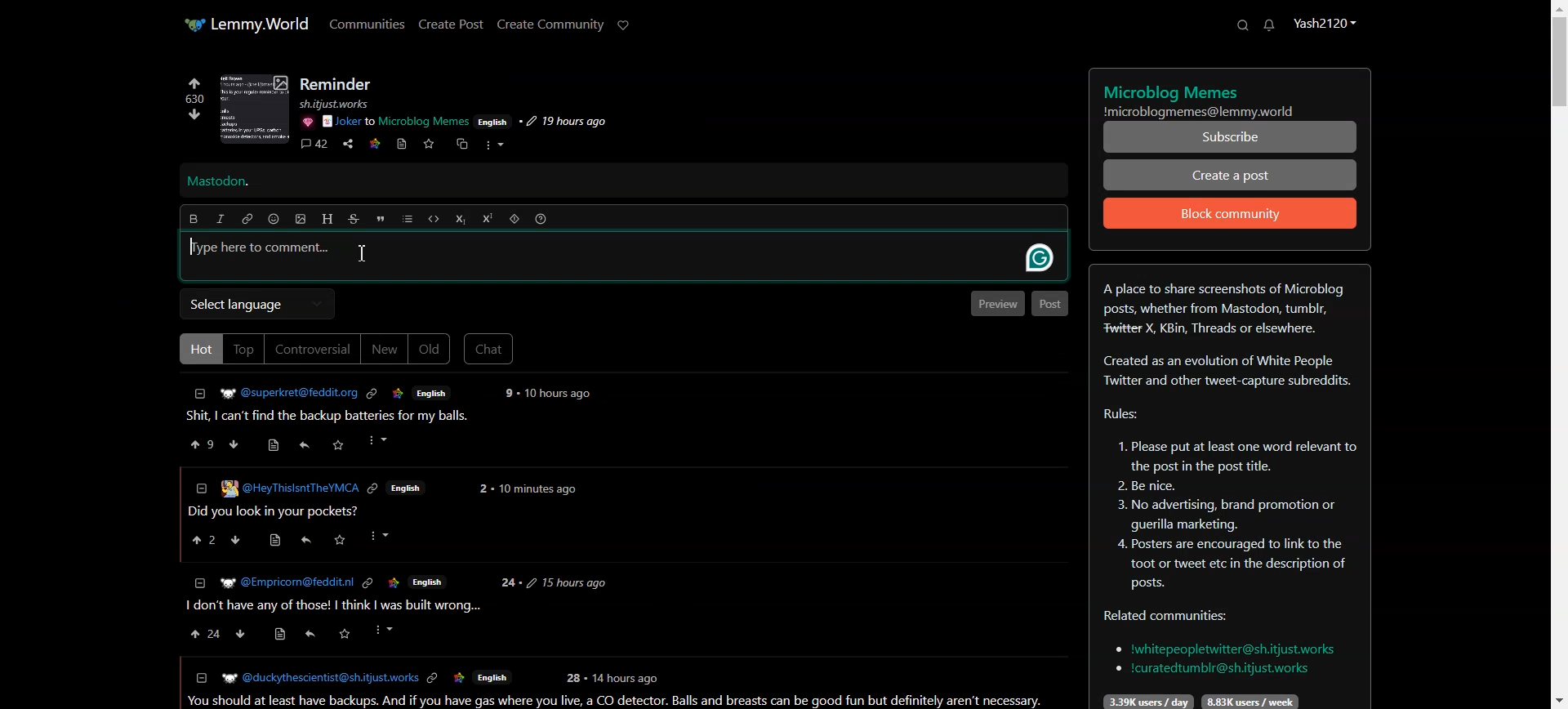 This screenshot has height=709, width=1568. What do you see at coordinates (482, 488) in the screenshot?
I see `2` at bounding box center [482, 488].